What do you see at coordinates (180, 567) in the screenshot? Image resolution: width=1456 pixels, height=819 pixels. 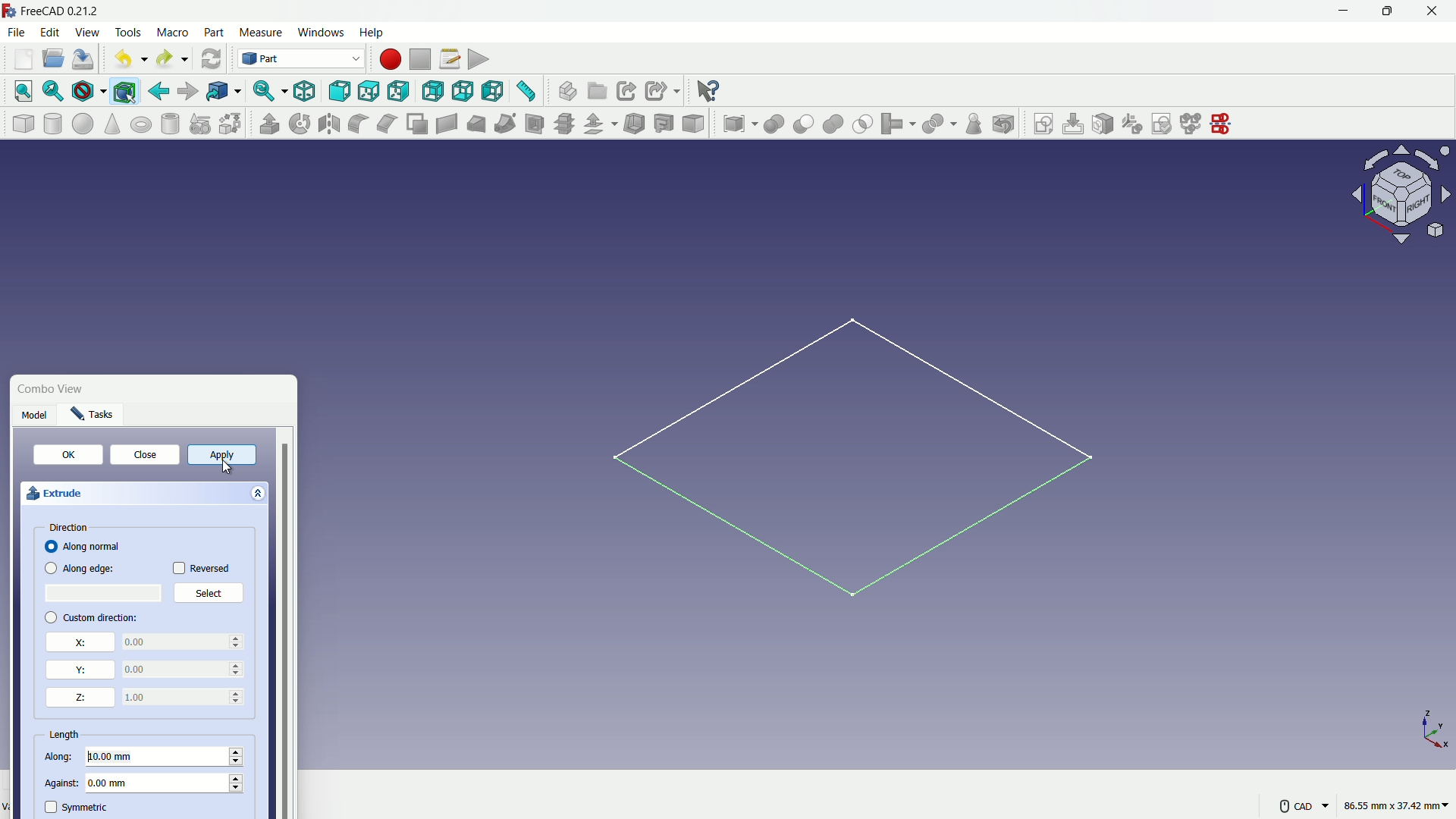 I see `checkbox` at bounding box center [180, 567].